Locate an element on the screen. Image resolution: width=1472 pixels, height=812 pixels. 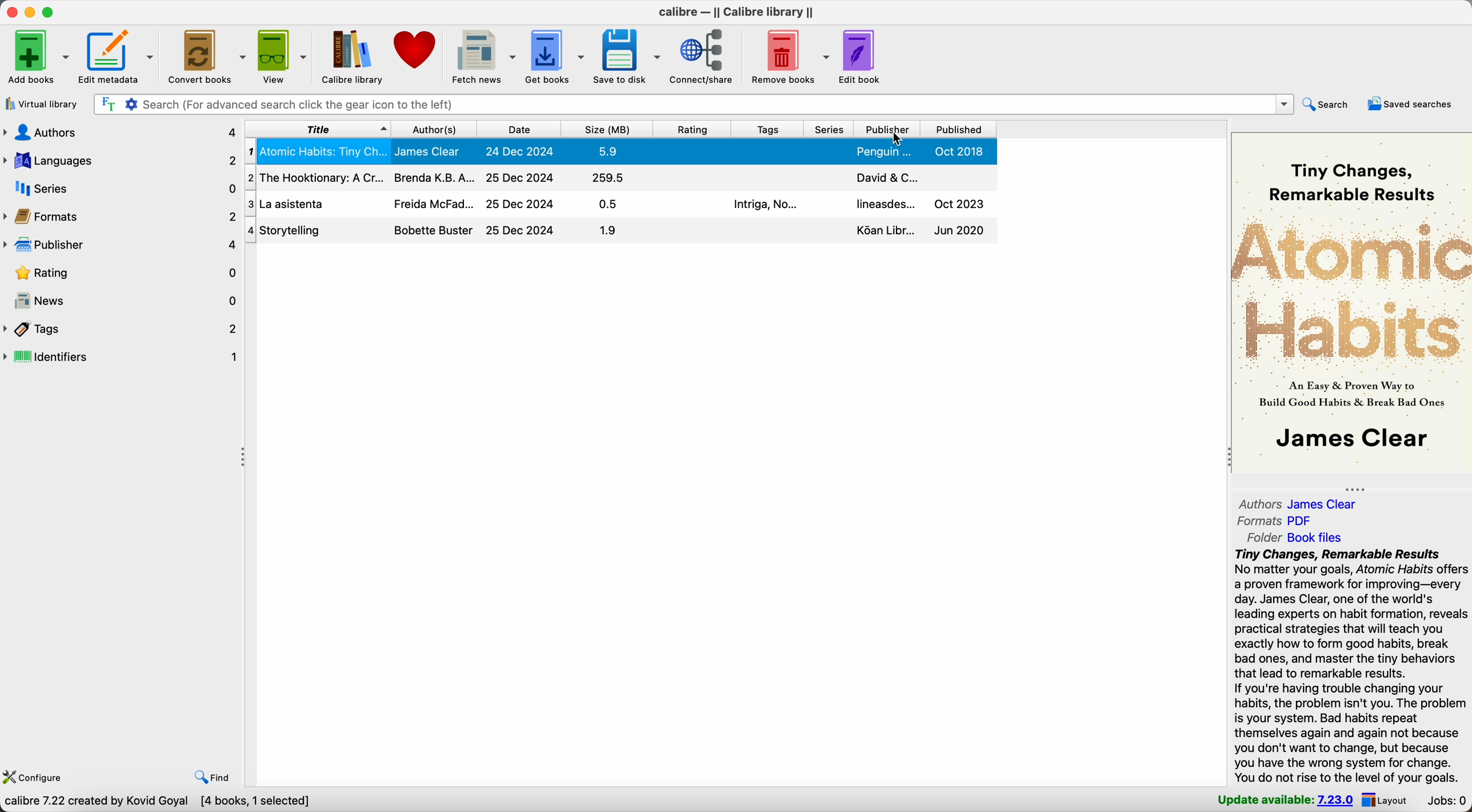
published is located at coordinates (959, 128).